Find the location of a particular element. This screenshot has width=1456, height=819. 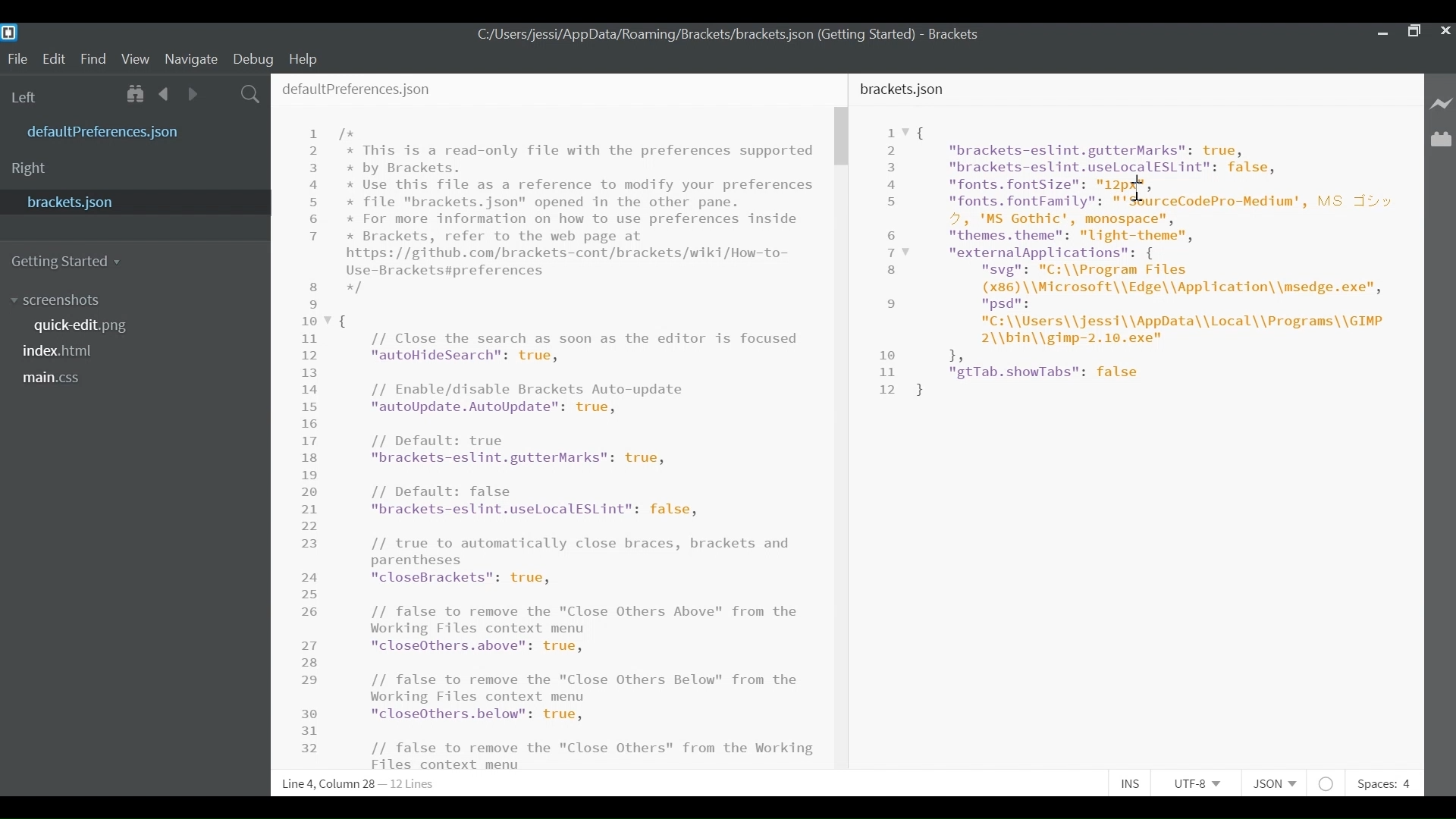

Line Number is located at coordinates (891, 261).